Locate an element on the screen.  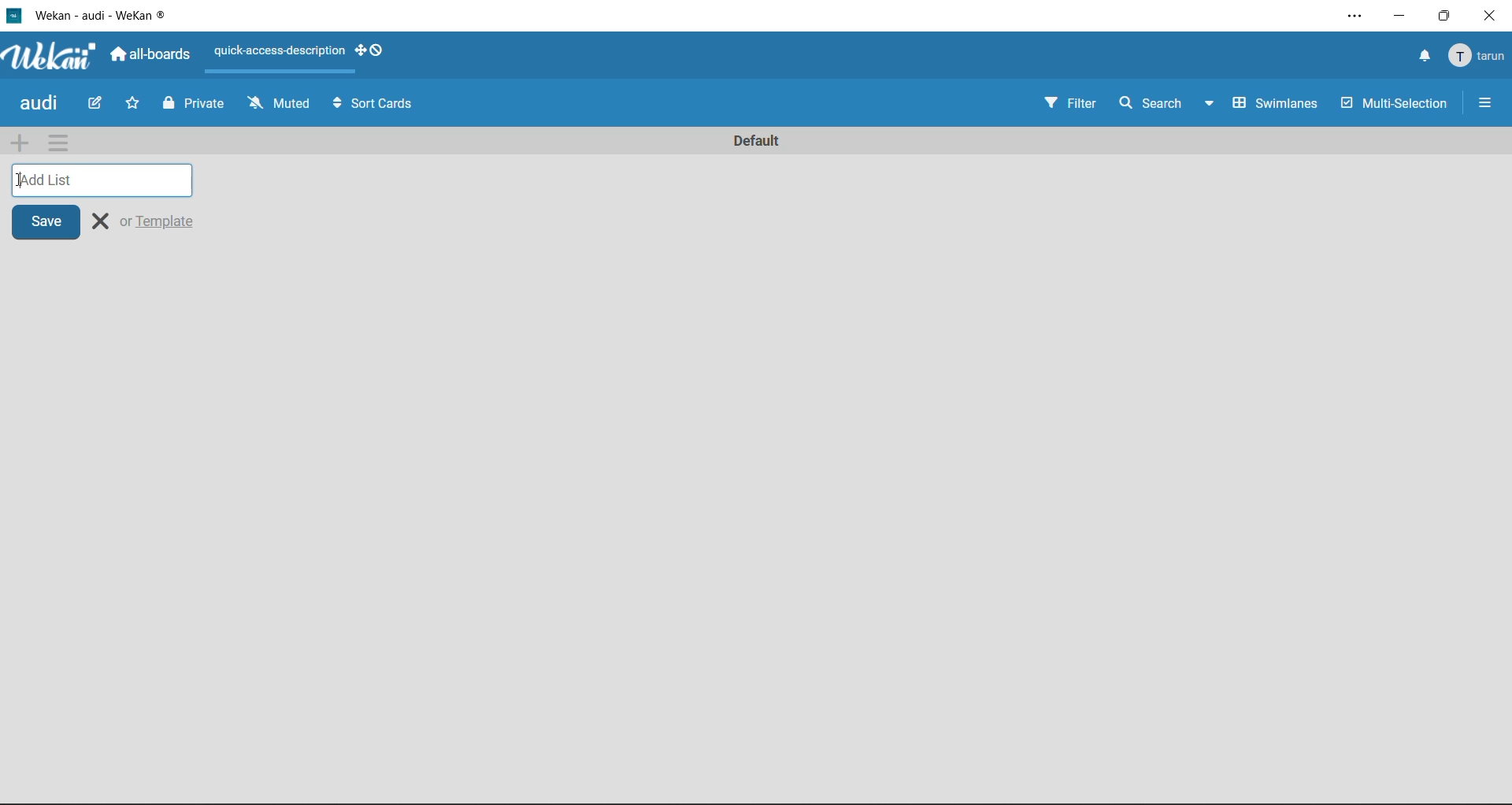
close is located at coordinates (1493, 15).